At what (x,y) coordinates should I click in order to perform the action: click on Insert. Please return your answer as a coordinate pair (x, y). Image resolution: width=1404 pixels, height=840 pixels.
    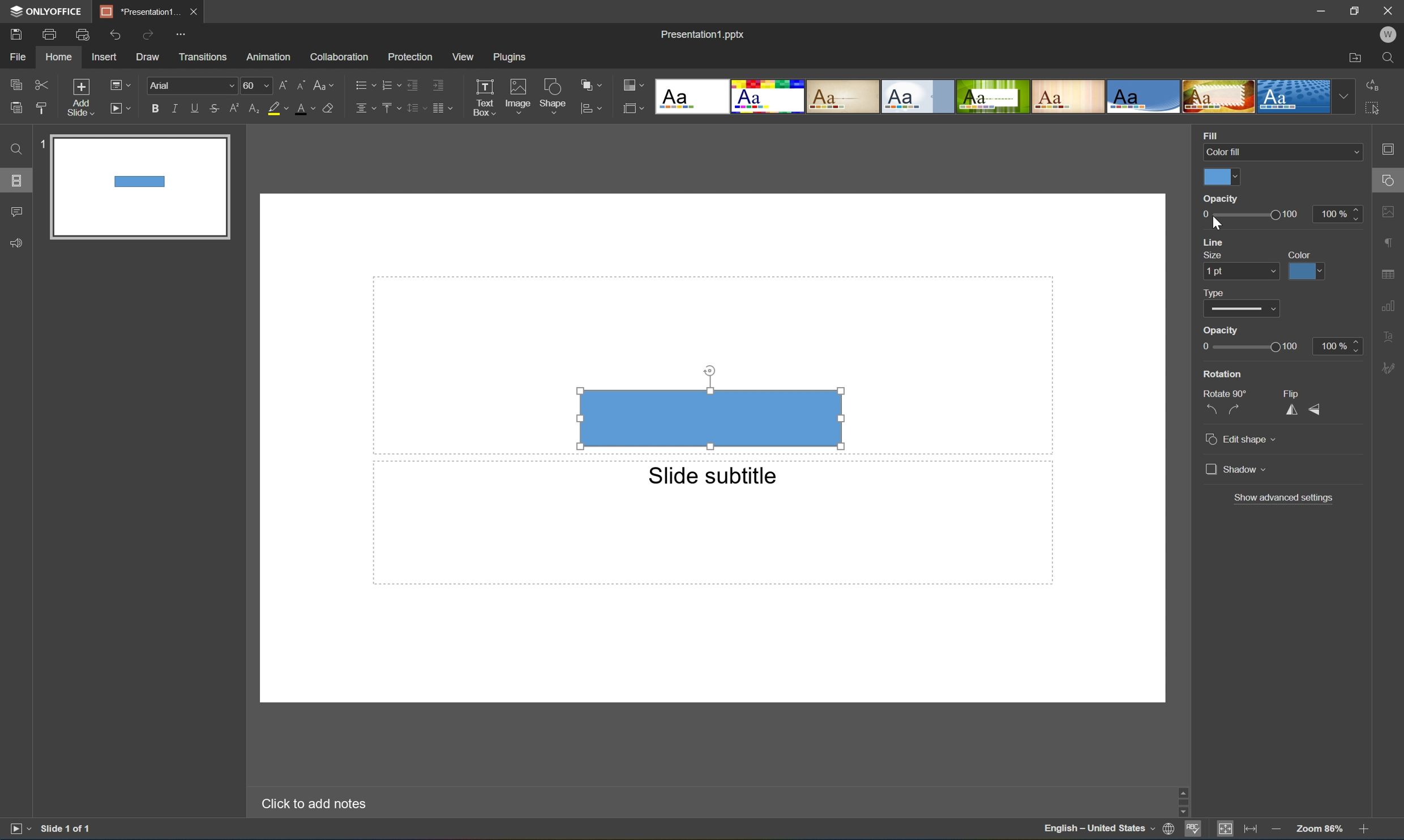
    Looking at the image, I should click on (106, 58).